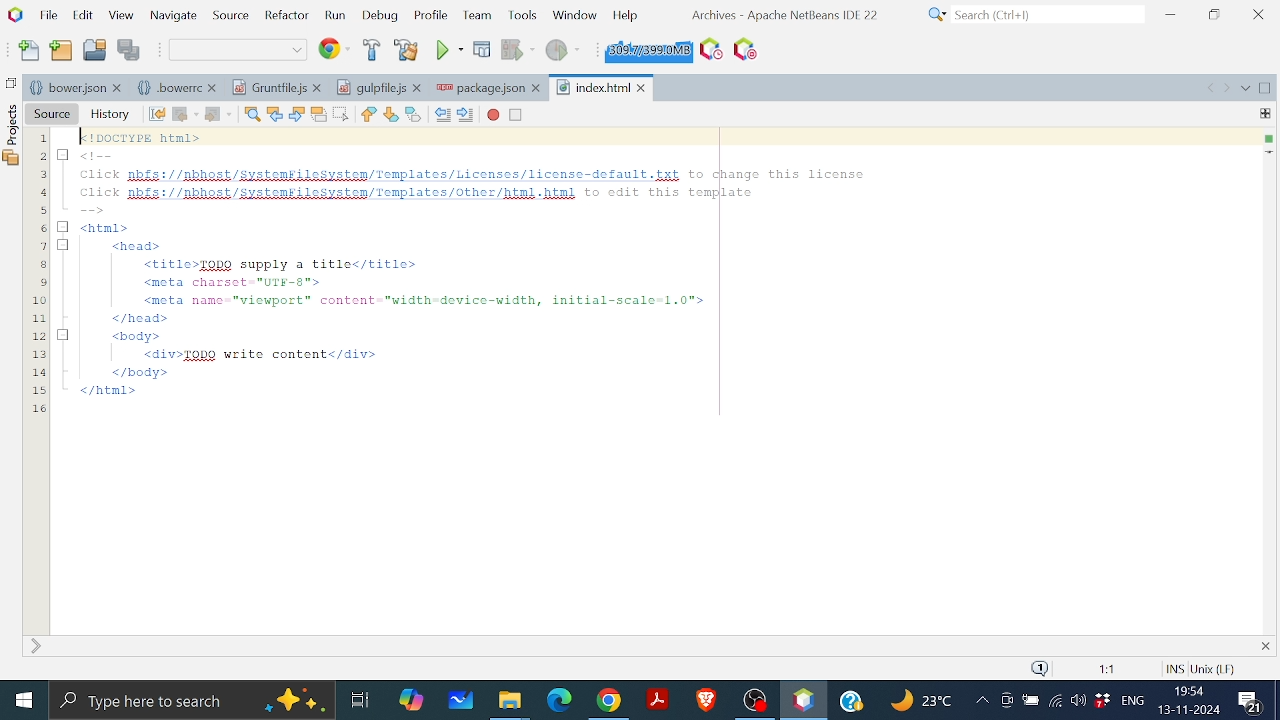 The width and height of the screenshot is (1280, 720). I want to click on NetBeans logo, so click(14, 14).